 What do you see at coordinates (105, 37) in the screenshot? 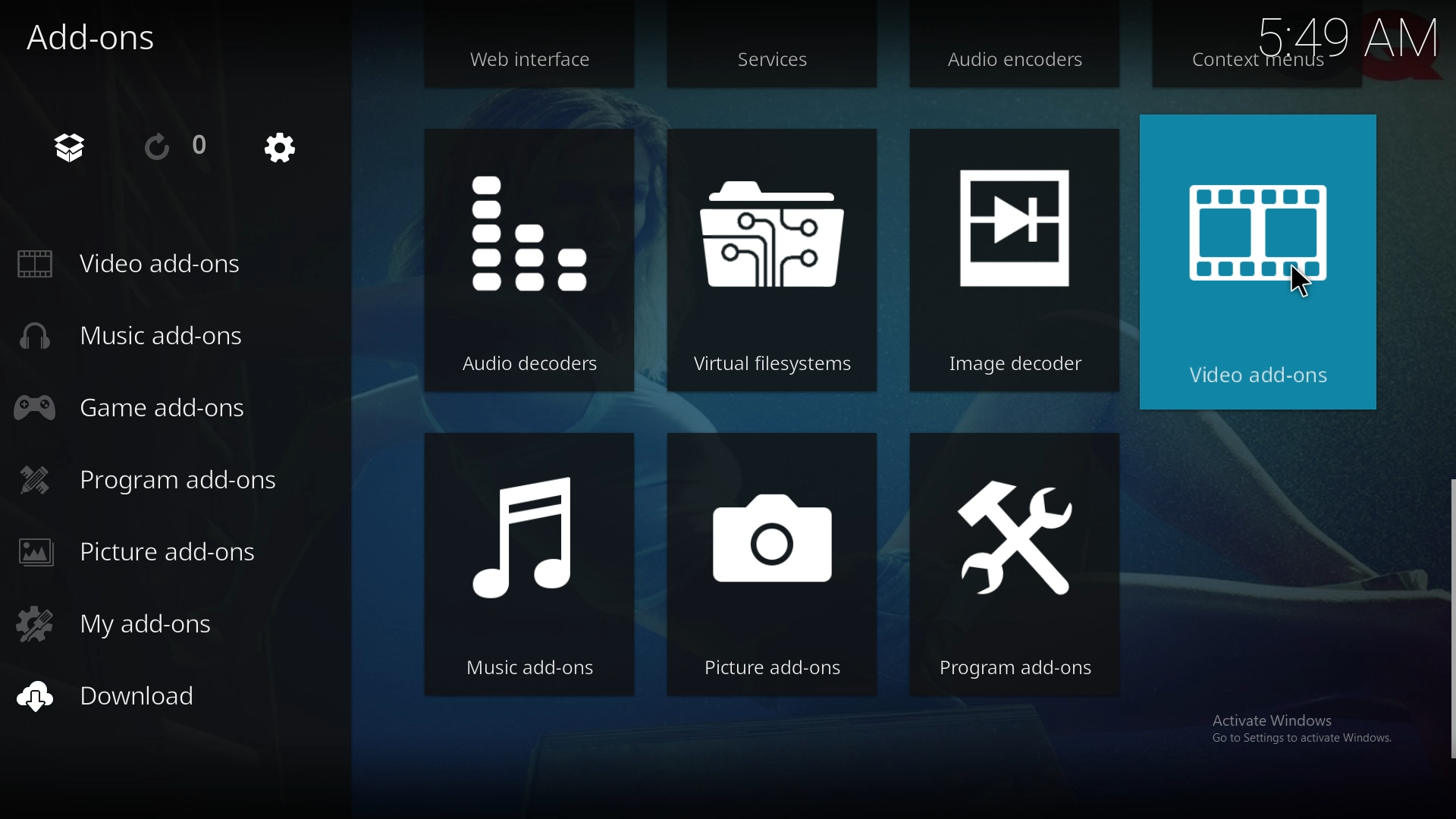
I see `add ons` at bounding box center [105, 37].